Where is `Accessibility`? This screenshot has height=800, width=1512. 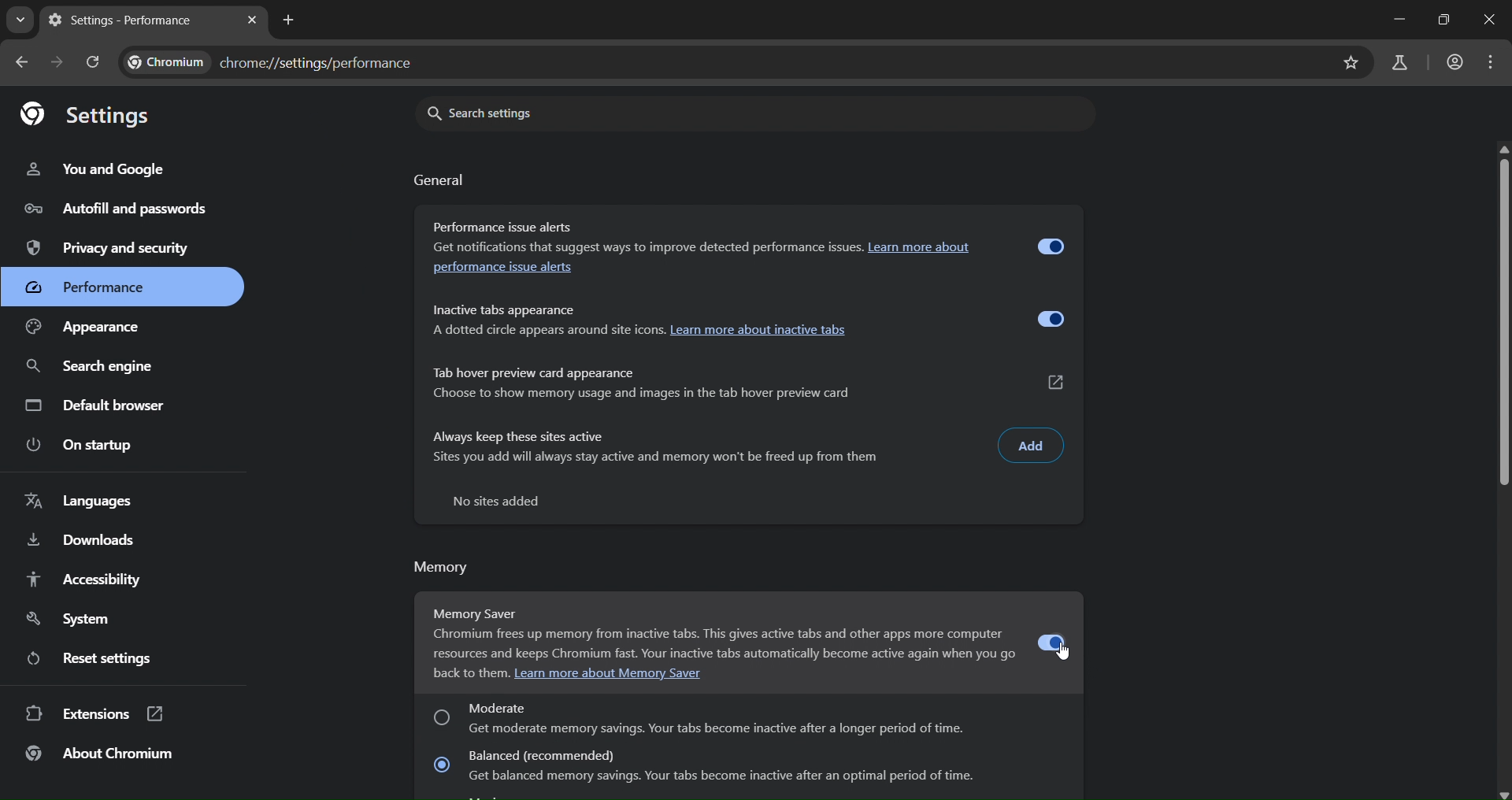
Accessibility is located at coordinates (81, 578).